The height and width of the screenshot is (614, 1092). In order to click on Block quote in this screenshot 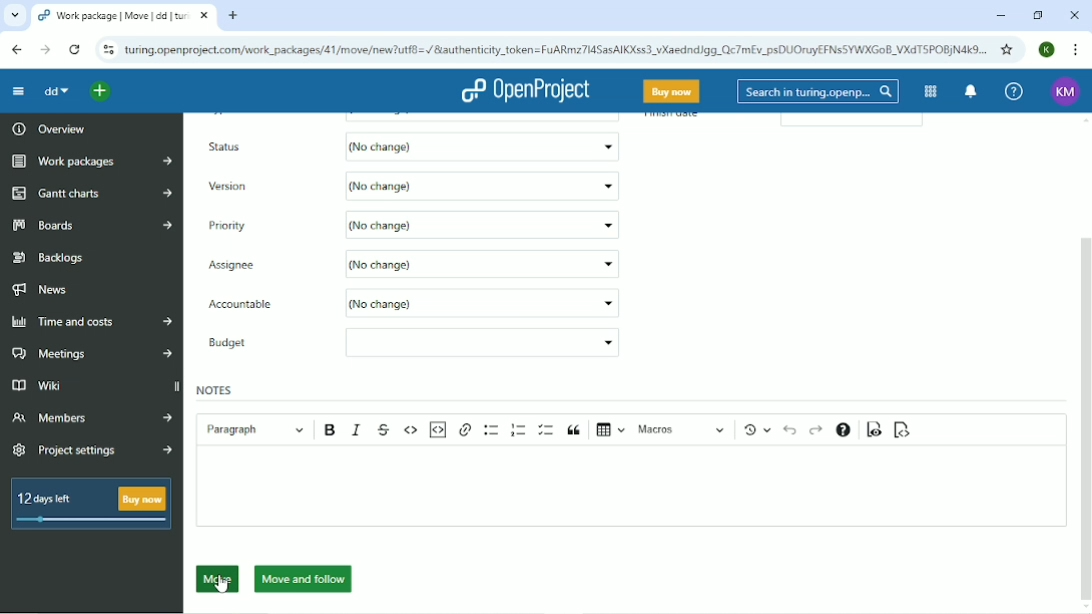, I will do `click(573, 431)`.